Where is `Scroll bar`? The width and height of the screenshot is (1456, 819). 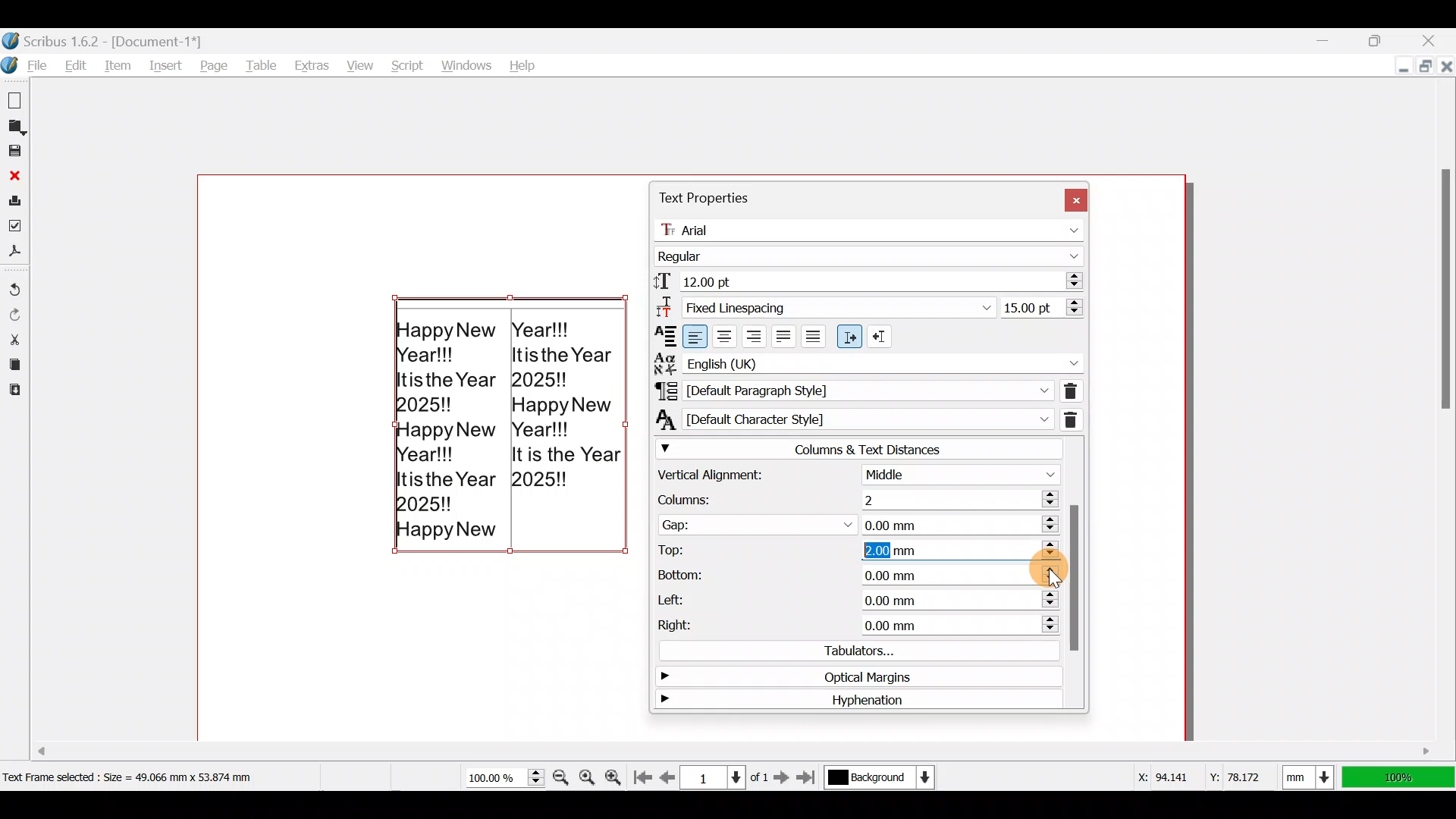 Scroll bar is located at coordinates (1447, 419).